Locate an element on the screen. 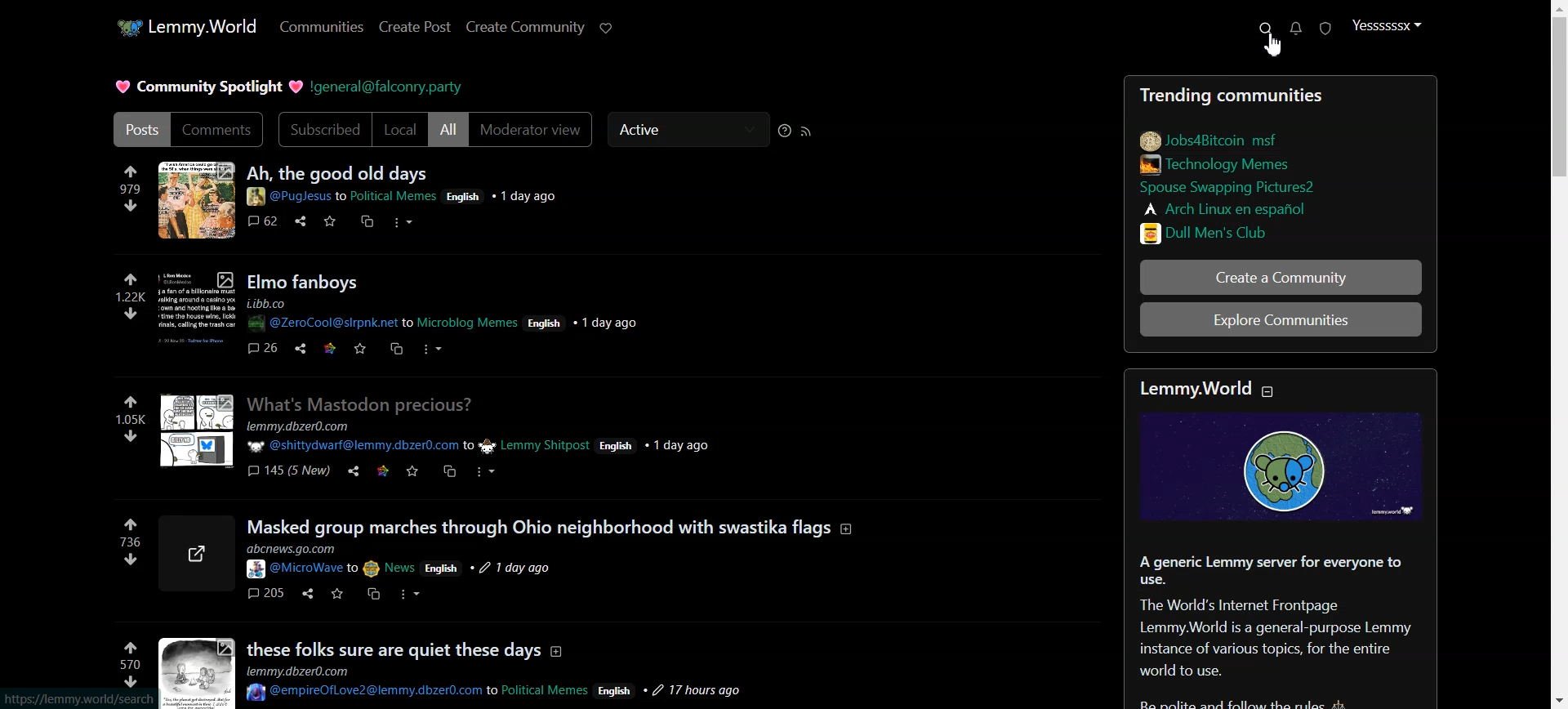  share is located at coordinates (301, 222).